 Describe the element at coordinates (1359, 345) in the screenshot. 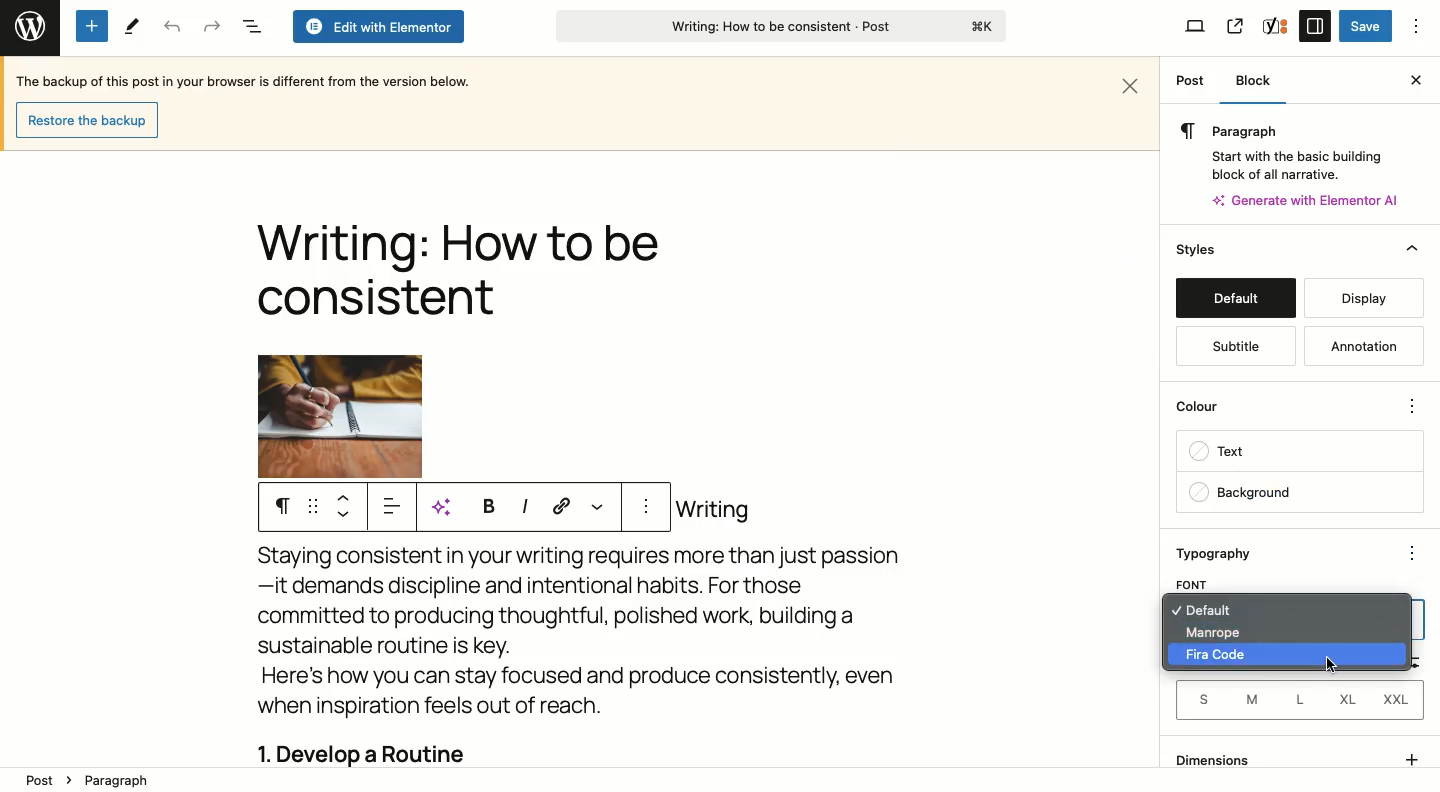

I see `Annotation` at that location.